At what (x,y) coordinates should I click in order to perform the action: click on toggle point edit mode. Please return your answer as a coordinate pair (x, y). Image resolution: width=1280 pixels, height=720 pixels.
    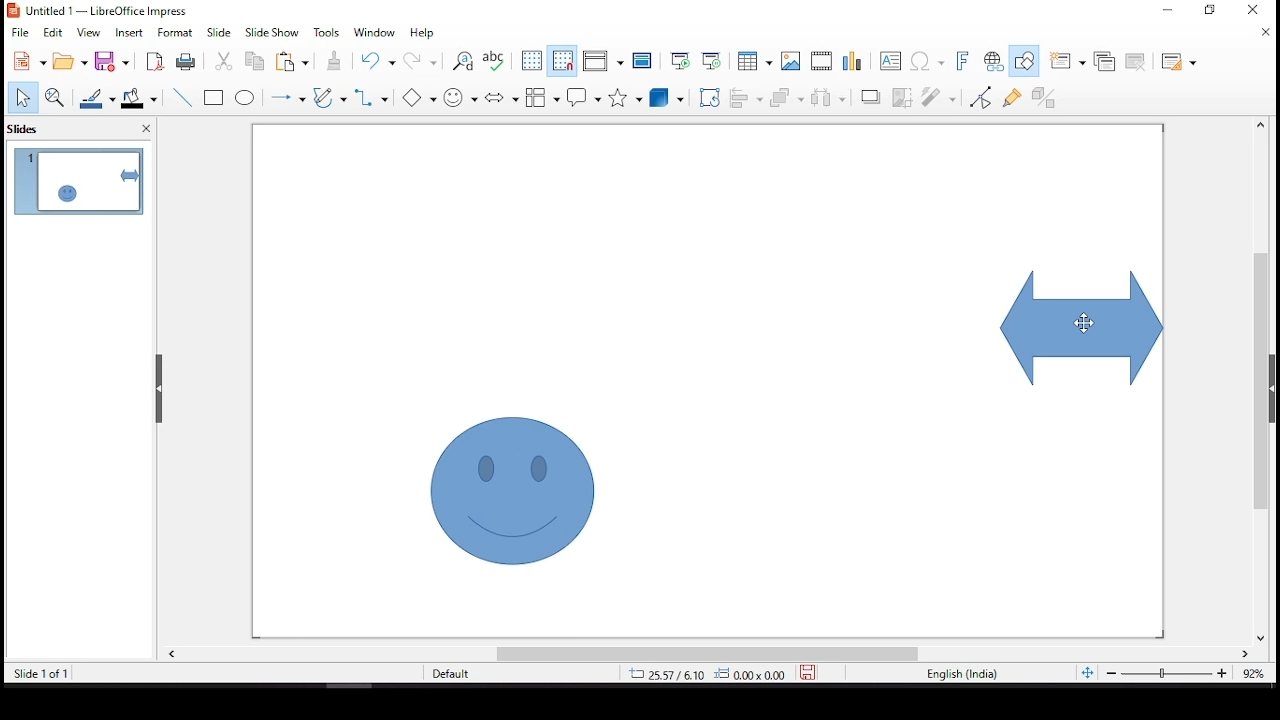
    Looking at the image, I should click on (982, 96).